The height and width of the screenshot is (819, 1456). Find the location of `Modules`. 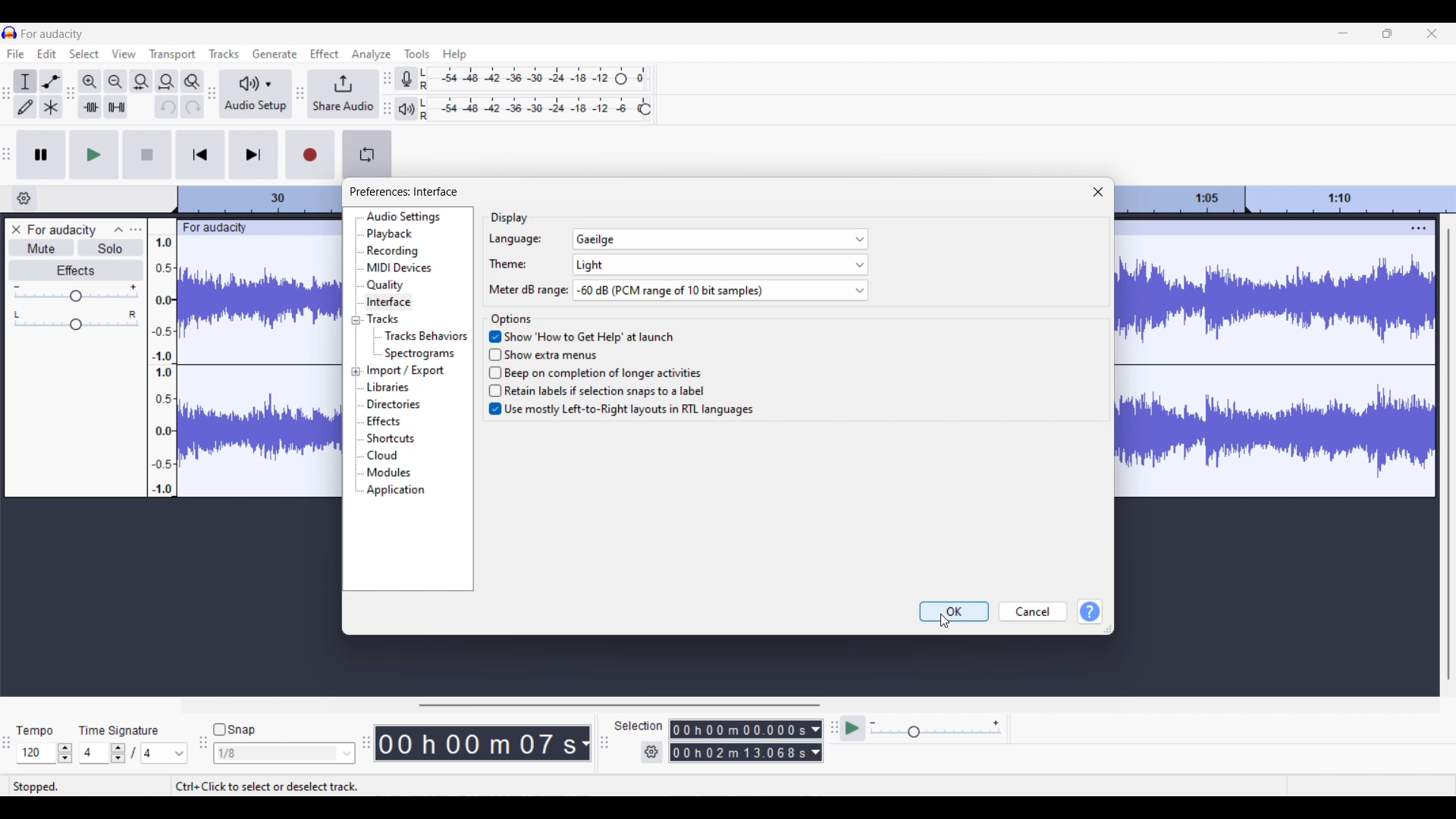

Modules is located at coordinates (388, 472).